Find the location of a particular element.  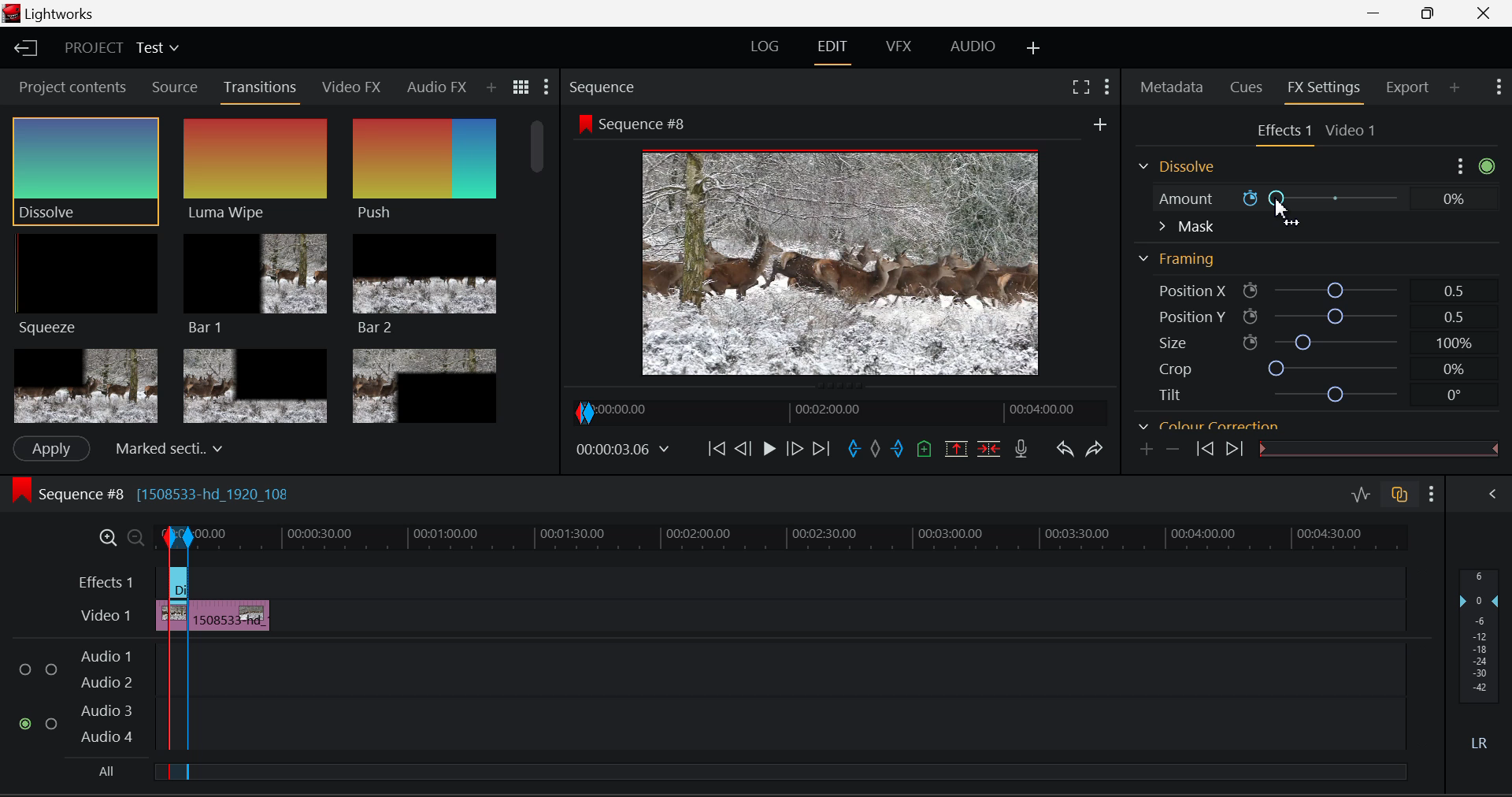

Mark Cue is located at coordinates (923, 450).